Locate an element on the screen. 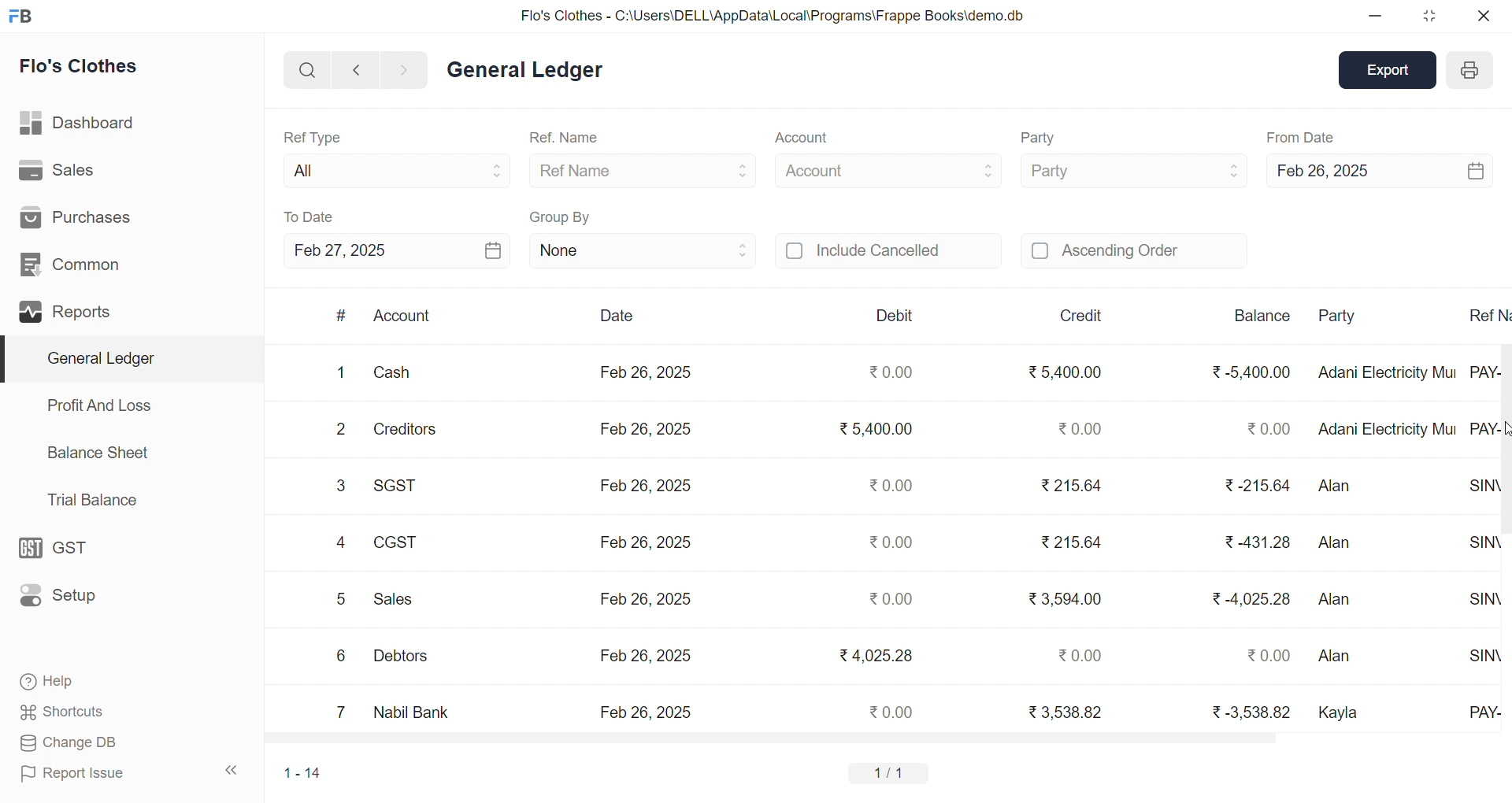  Balance Sheet is located at coordinates (99, 452).